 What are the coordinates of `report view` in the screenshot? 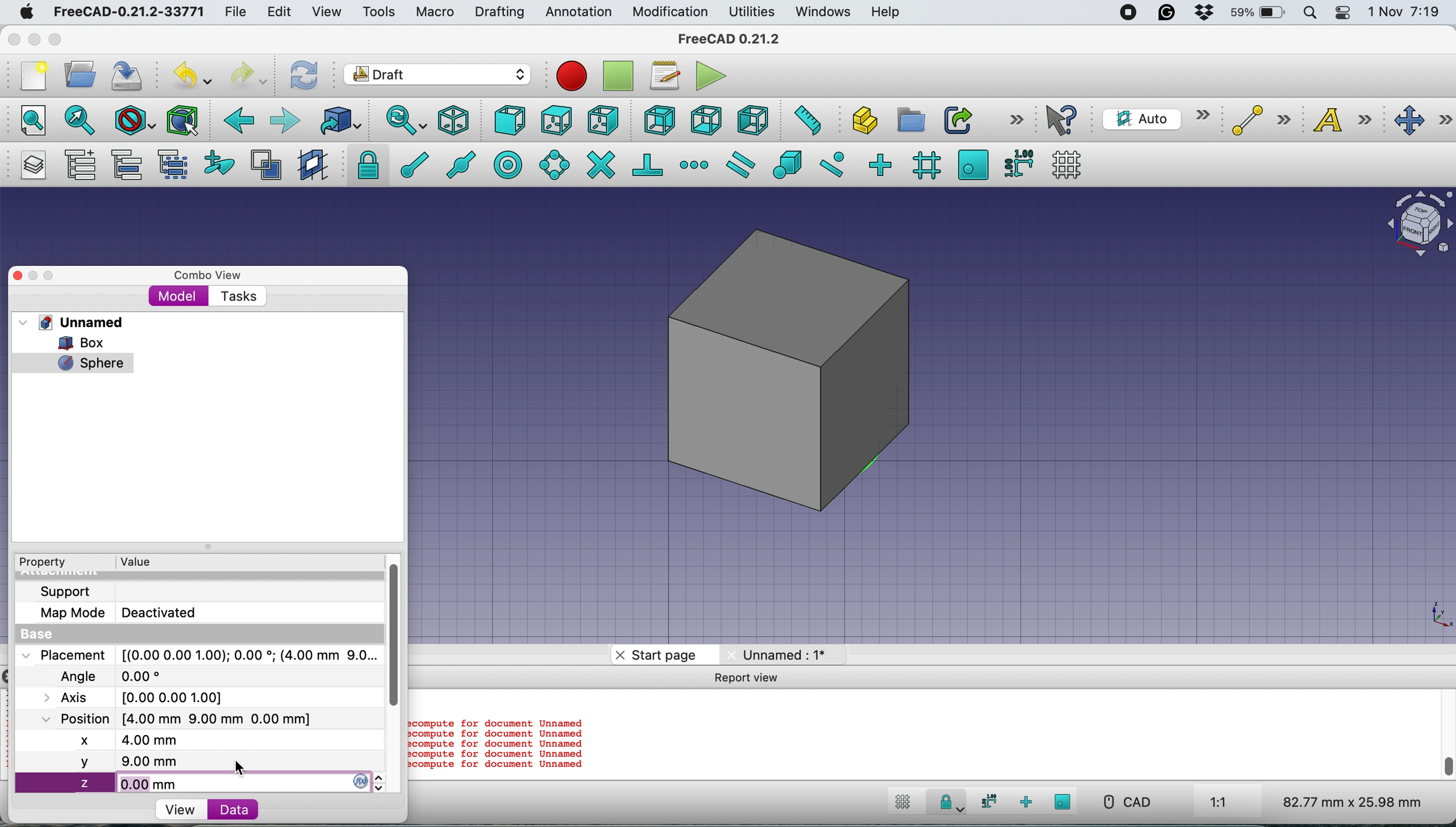 It's located at (751, 680).